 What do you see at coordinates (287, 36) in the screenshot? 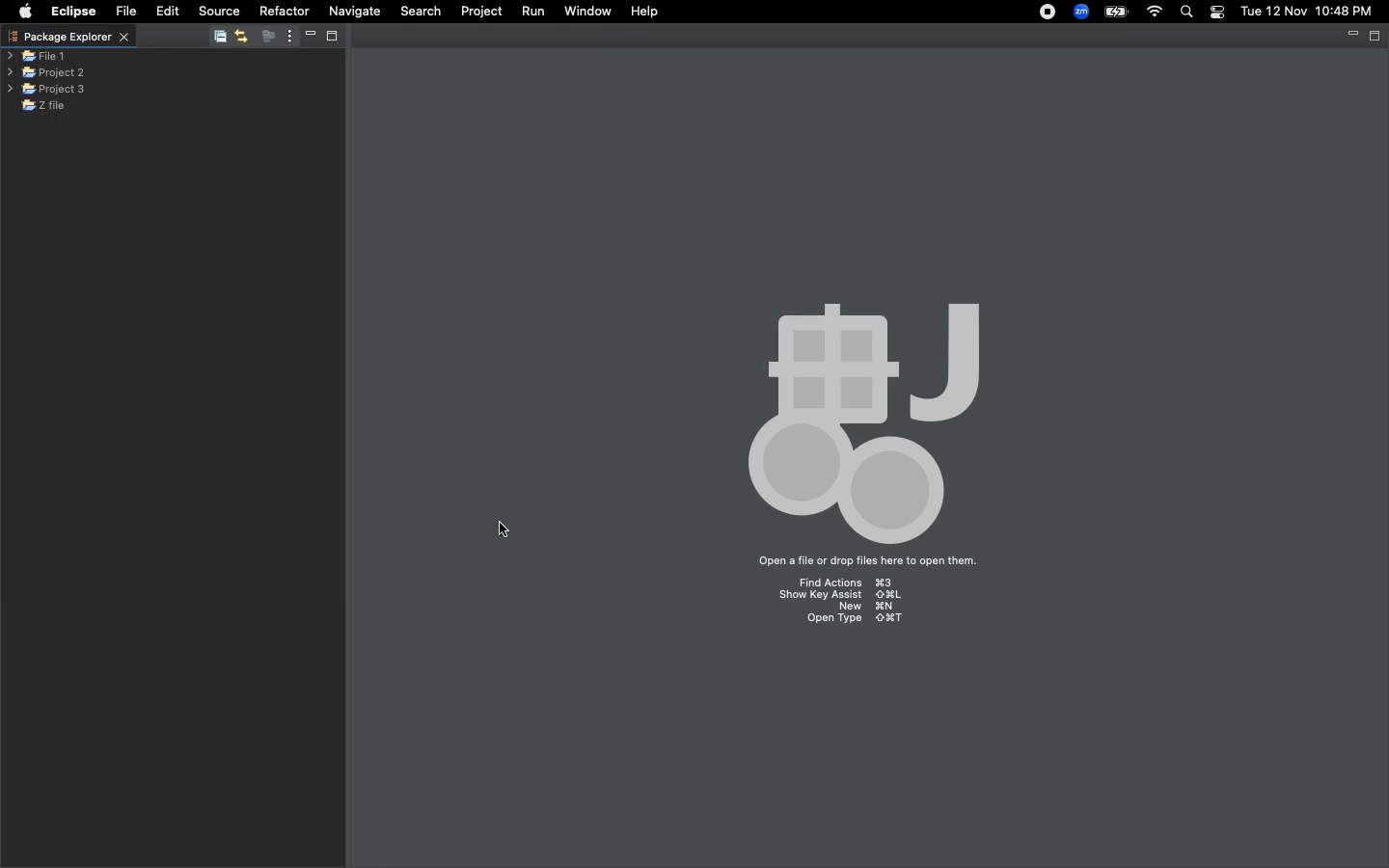
I see `More` at bounding box center [287, 36].